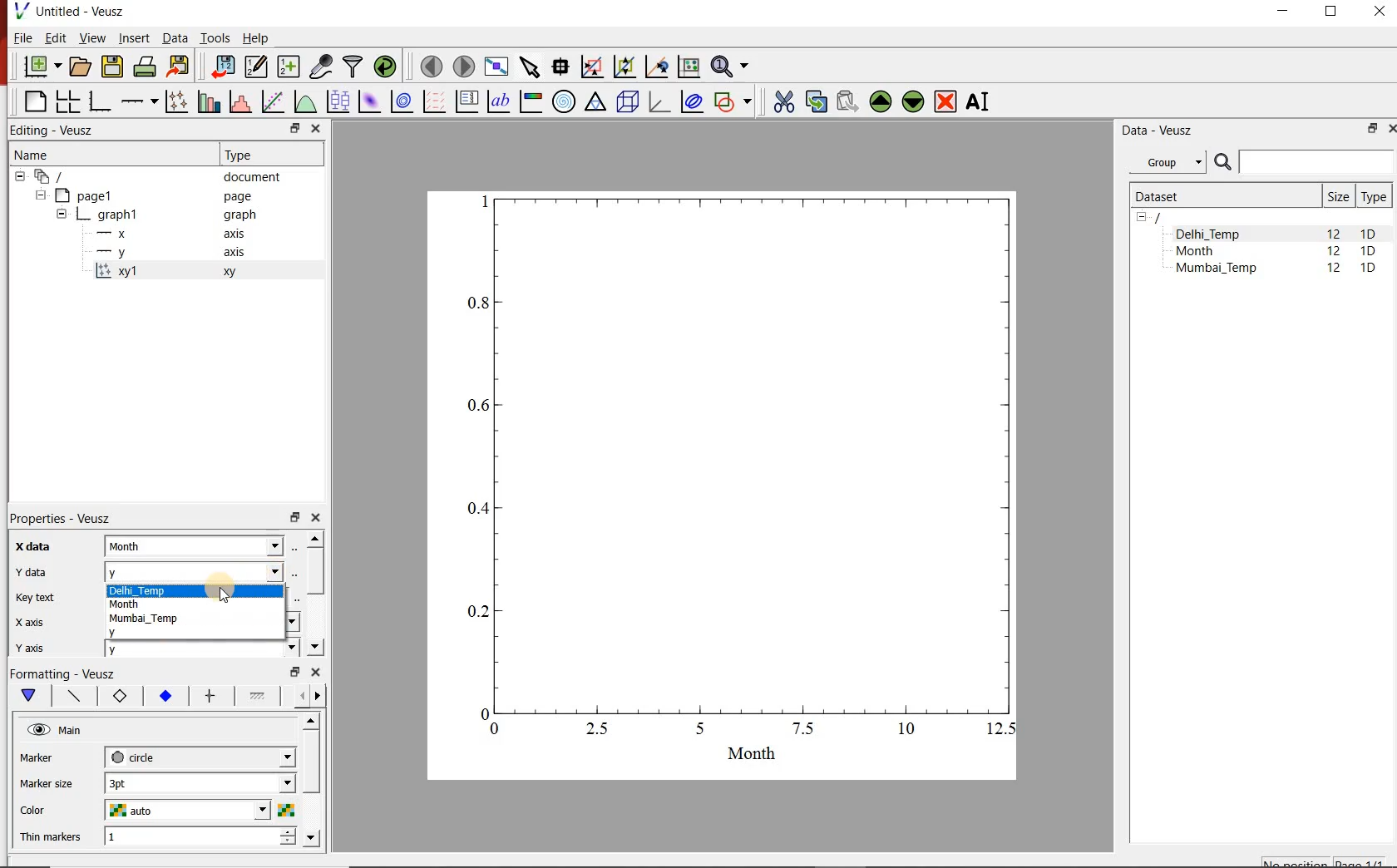 This screenshot has width=1397, height=868. I want to click on blank page, so click(32, 101).